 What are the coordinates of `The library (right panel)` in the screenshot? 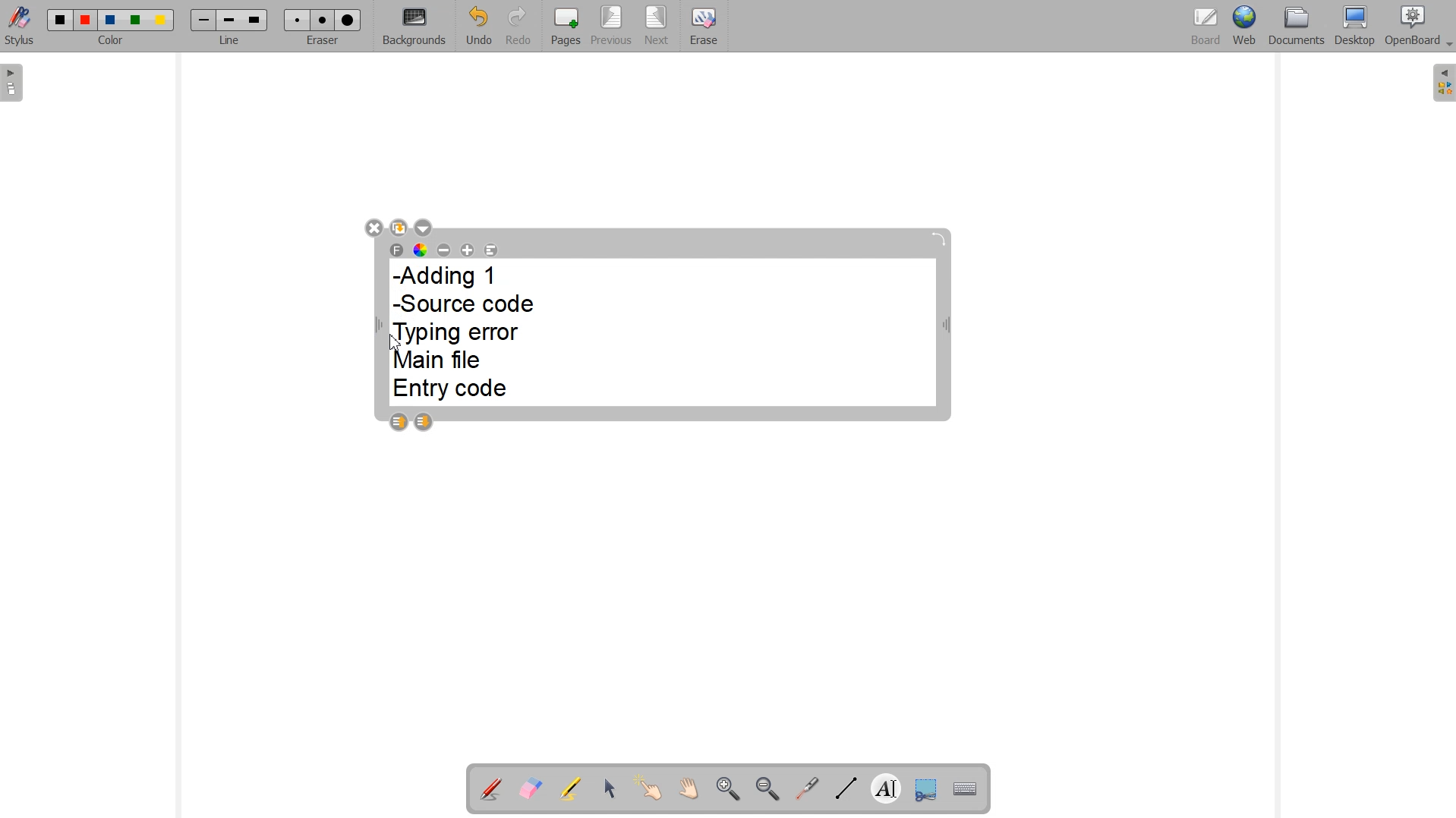 It's located at (1442, 83).